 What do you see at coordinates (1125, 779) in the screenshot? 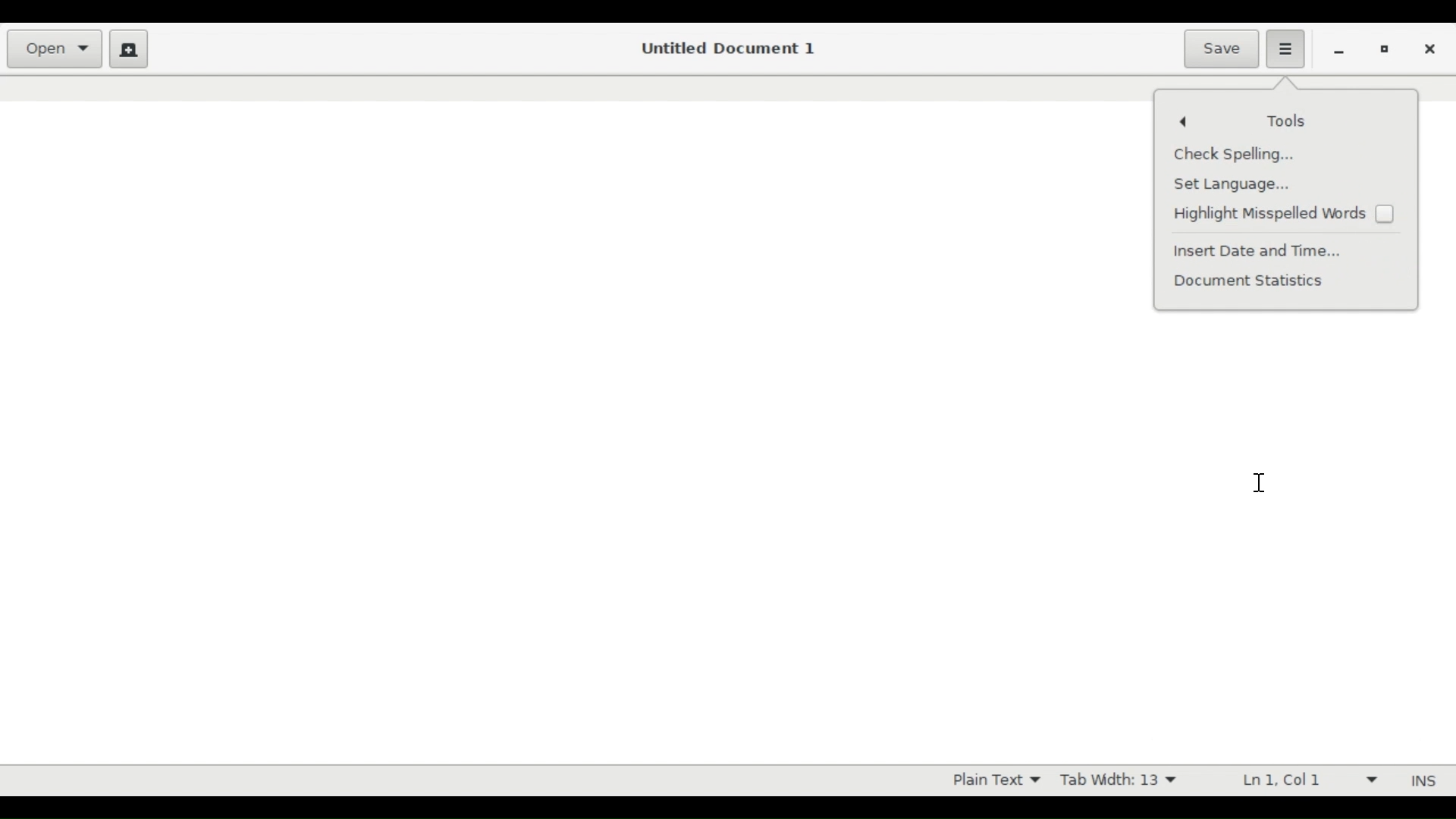
I see `Tab Width 13` at bounding box center [1125, 779].